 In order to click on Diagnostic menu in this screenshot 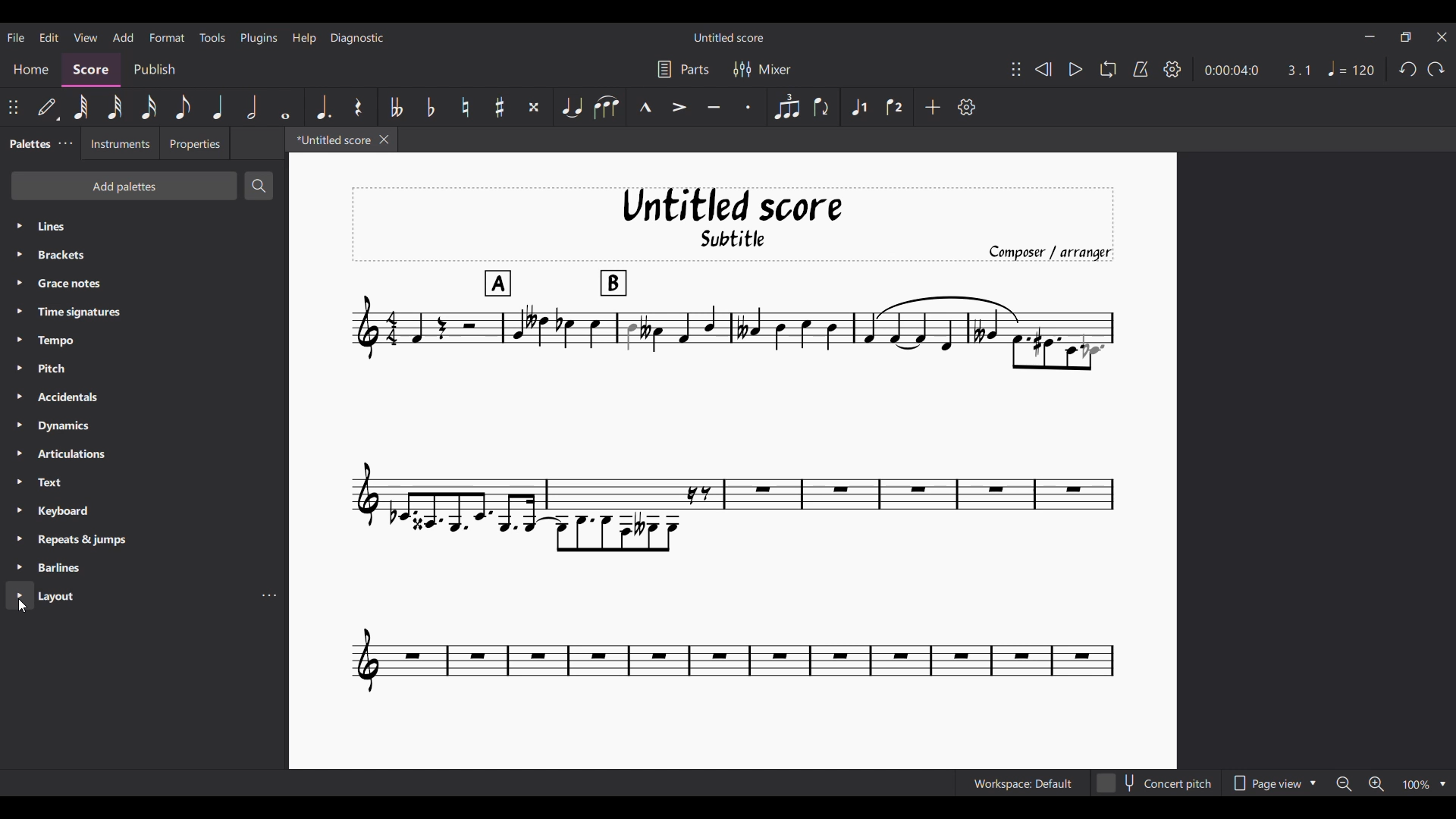, I will do `click(358, 38)`.